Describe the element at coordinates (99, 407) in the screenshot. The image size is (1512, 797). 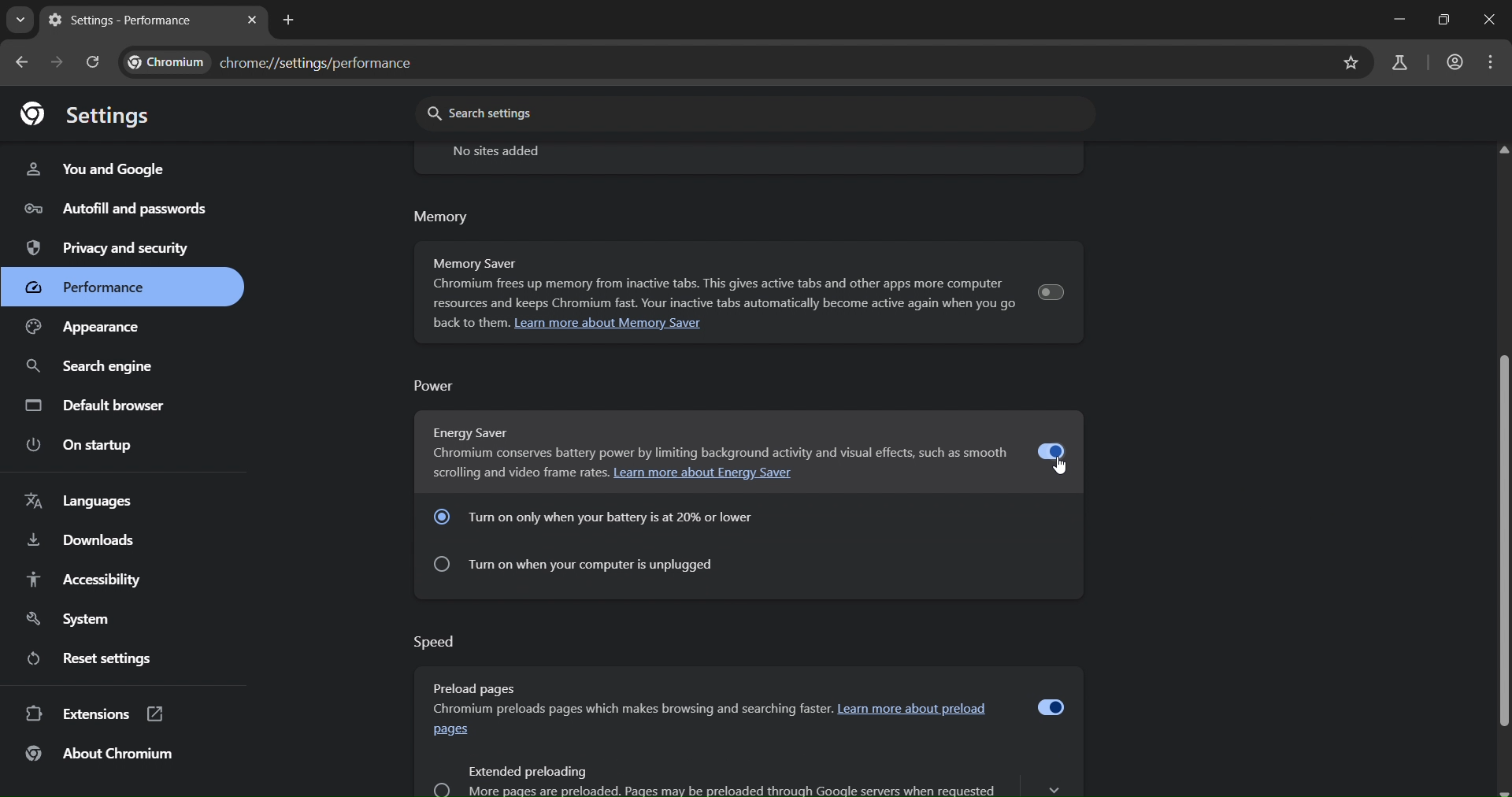
I see `default browser` at that location.